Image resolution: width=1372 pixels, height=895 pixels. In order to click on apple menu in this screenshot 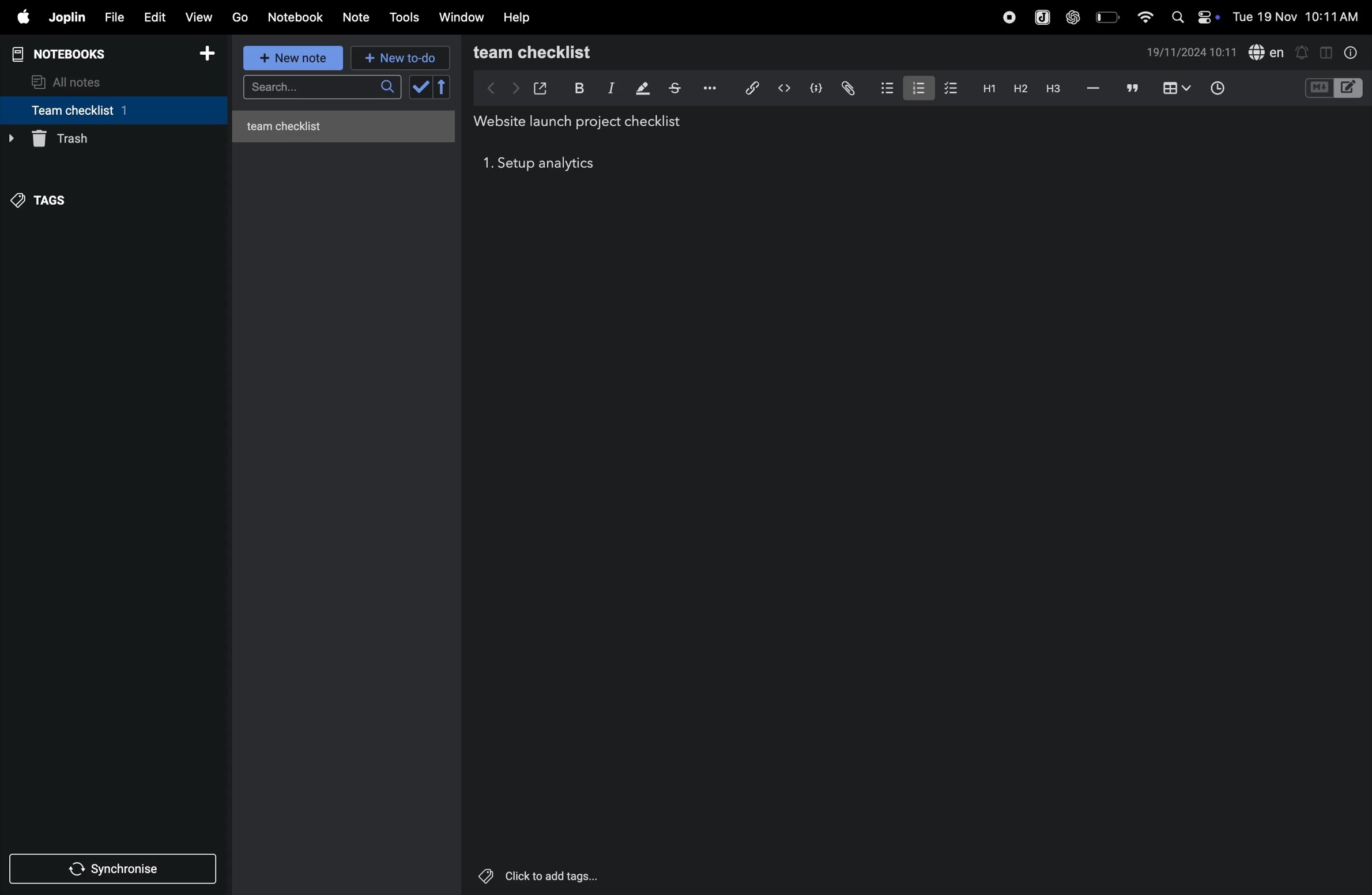, I will do `click(22, 18)`.